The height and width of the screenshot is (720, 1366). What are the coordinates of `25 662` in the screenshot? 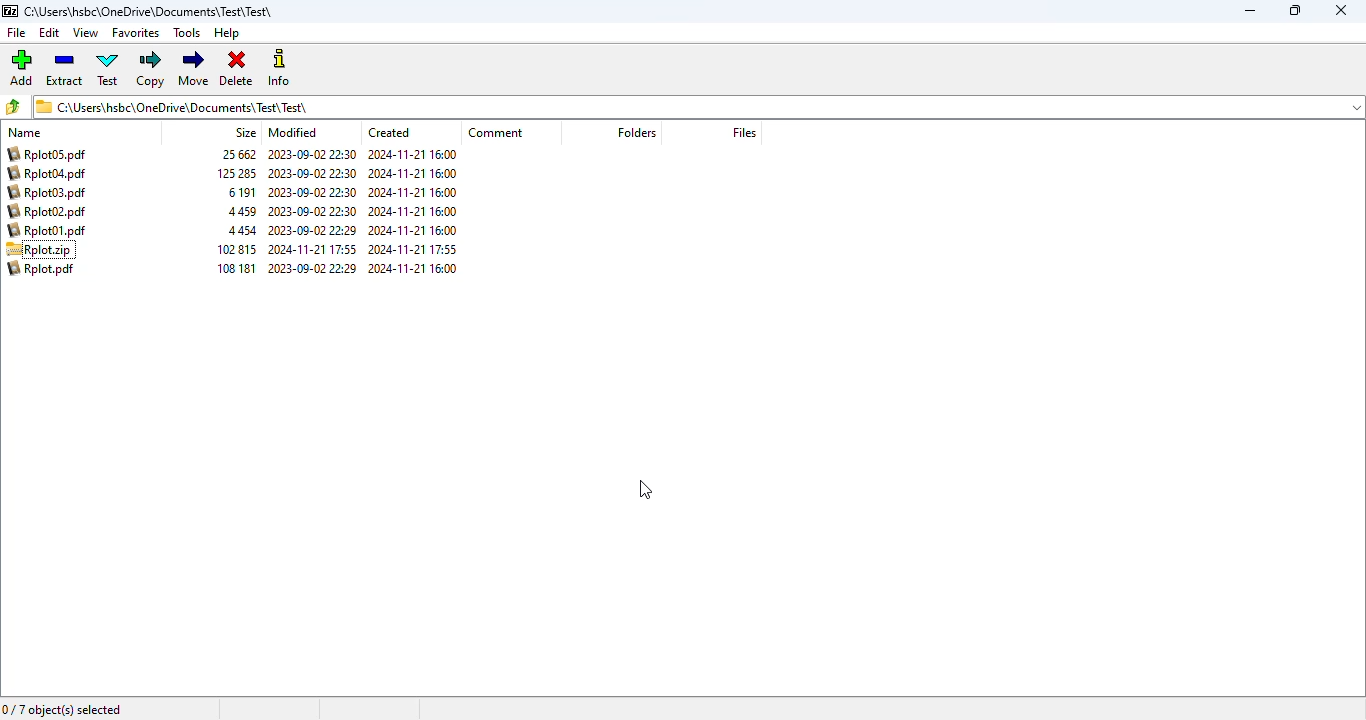 It's located at (241, 155).